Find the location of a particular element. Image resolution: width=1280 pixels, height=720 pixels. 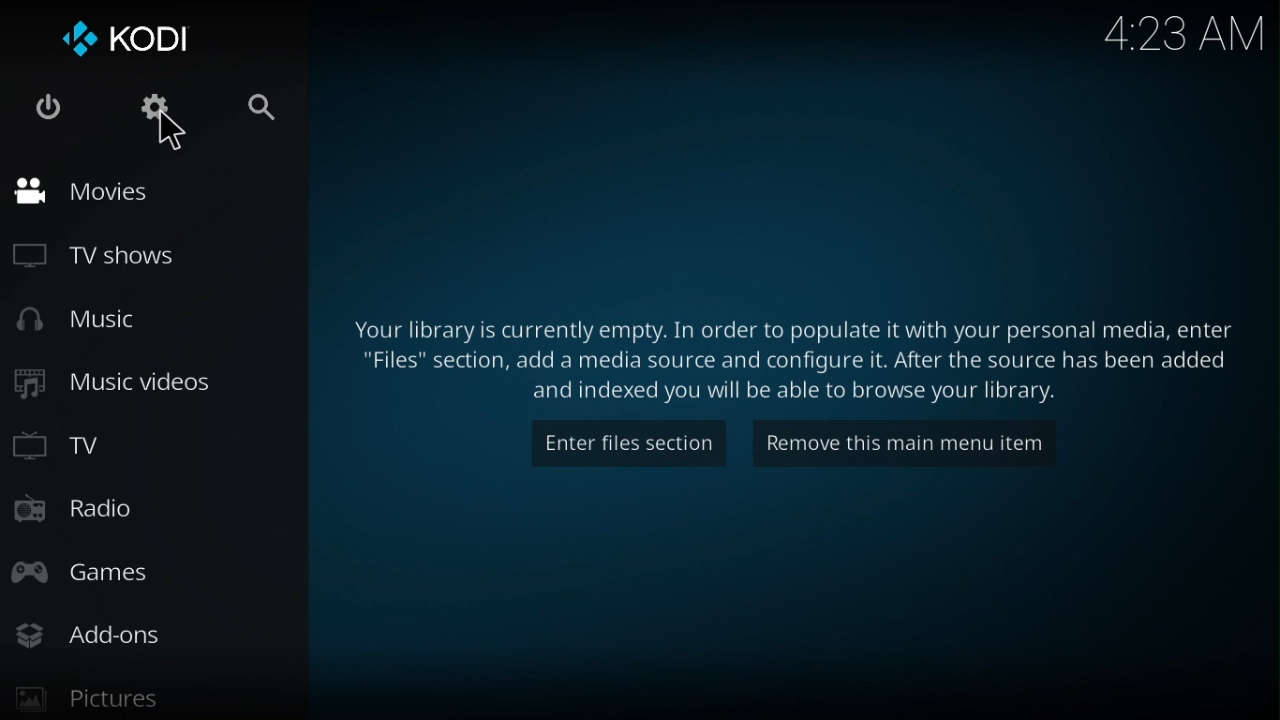

Movies music is located at coordinates (100, 191).